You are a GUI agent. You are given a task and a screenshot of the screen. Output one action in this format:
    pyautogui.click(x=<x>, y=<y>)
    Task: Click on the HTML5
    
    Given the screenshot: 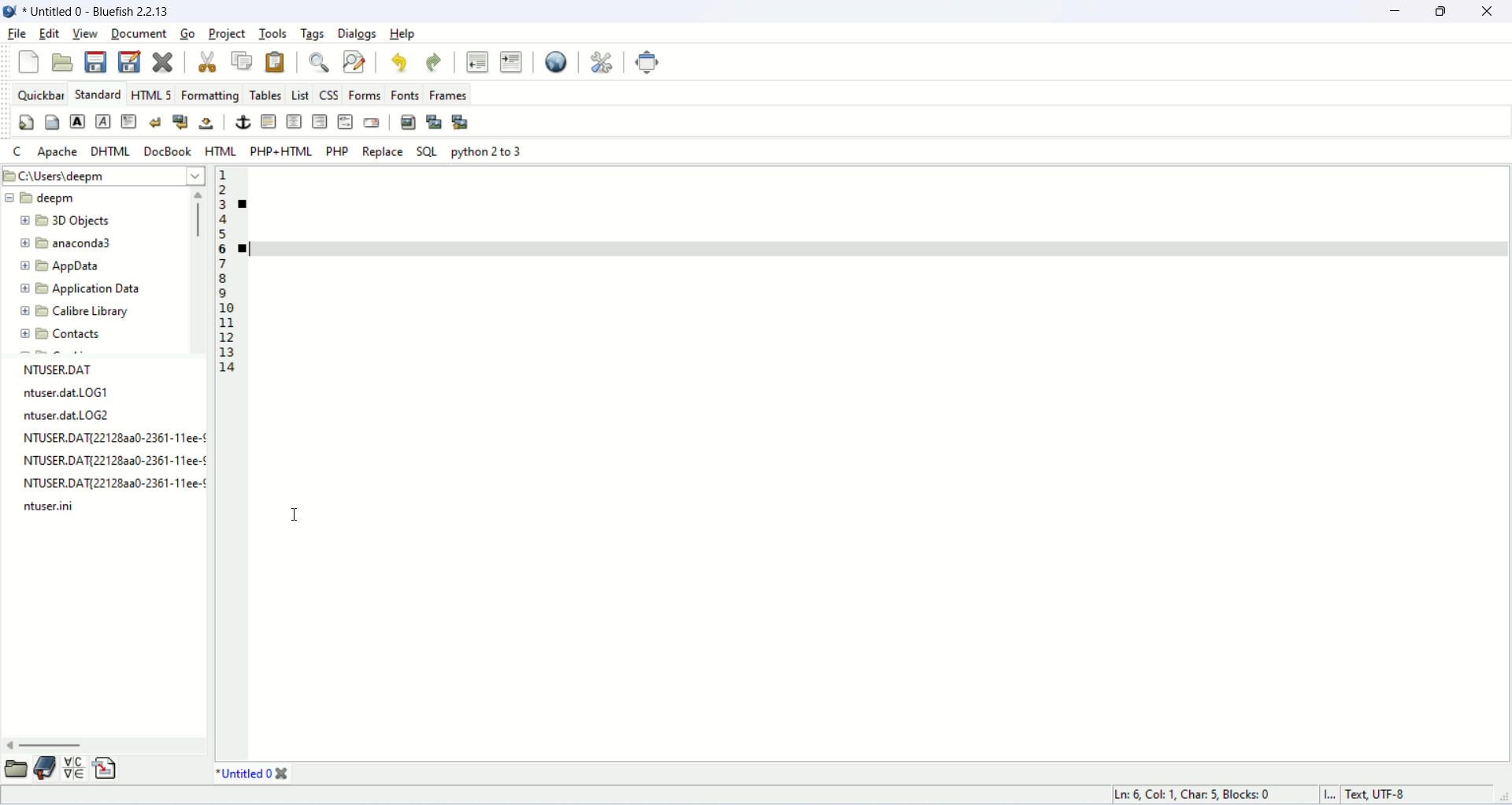 What is the action you would take?
    pyautogui.click(x=148, y=94)
    